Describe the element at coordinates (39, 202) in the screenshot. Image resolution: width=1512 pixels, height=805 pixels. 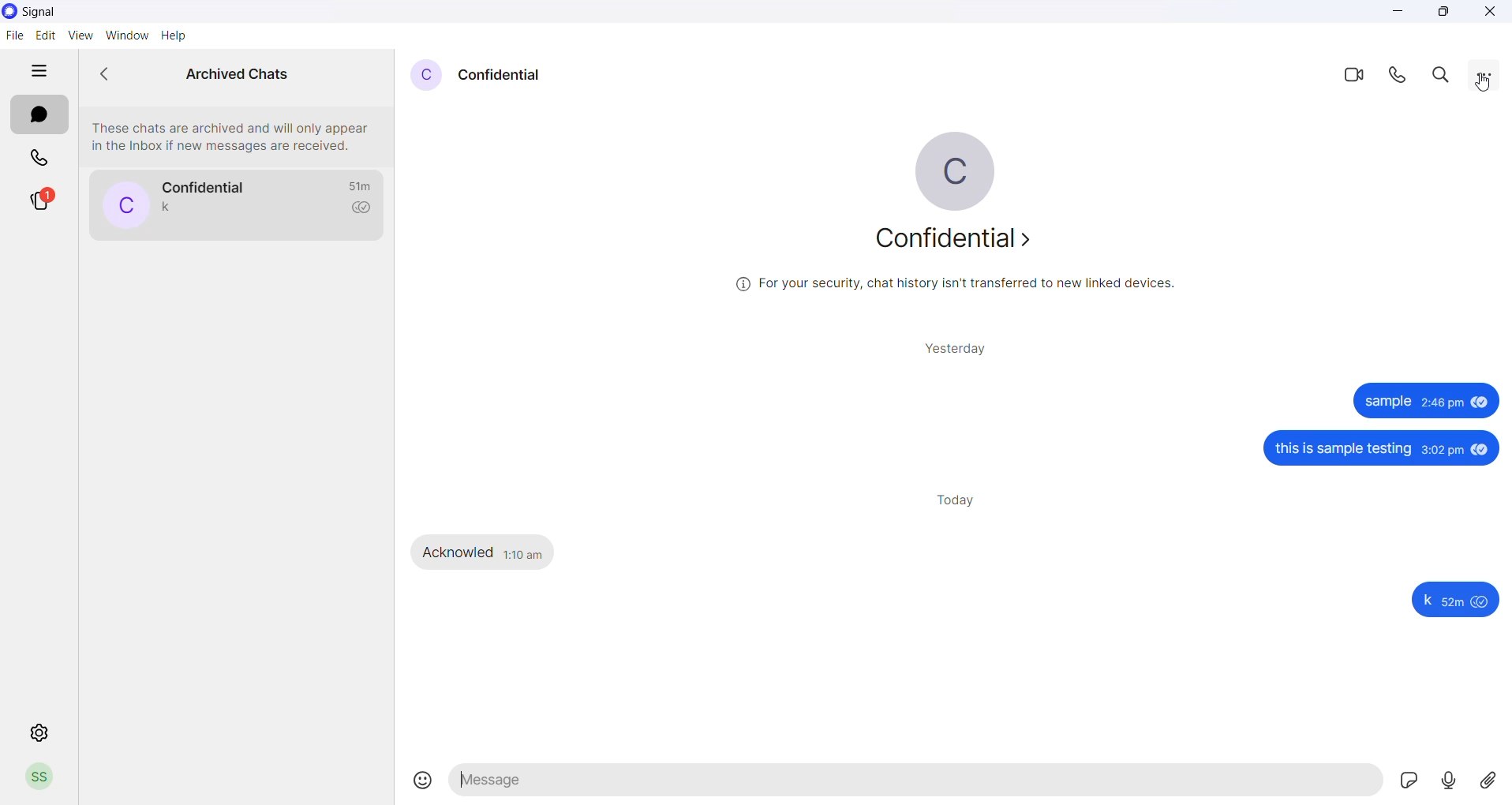
I see `stories` at that location.